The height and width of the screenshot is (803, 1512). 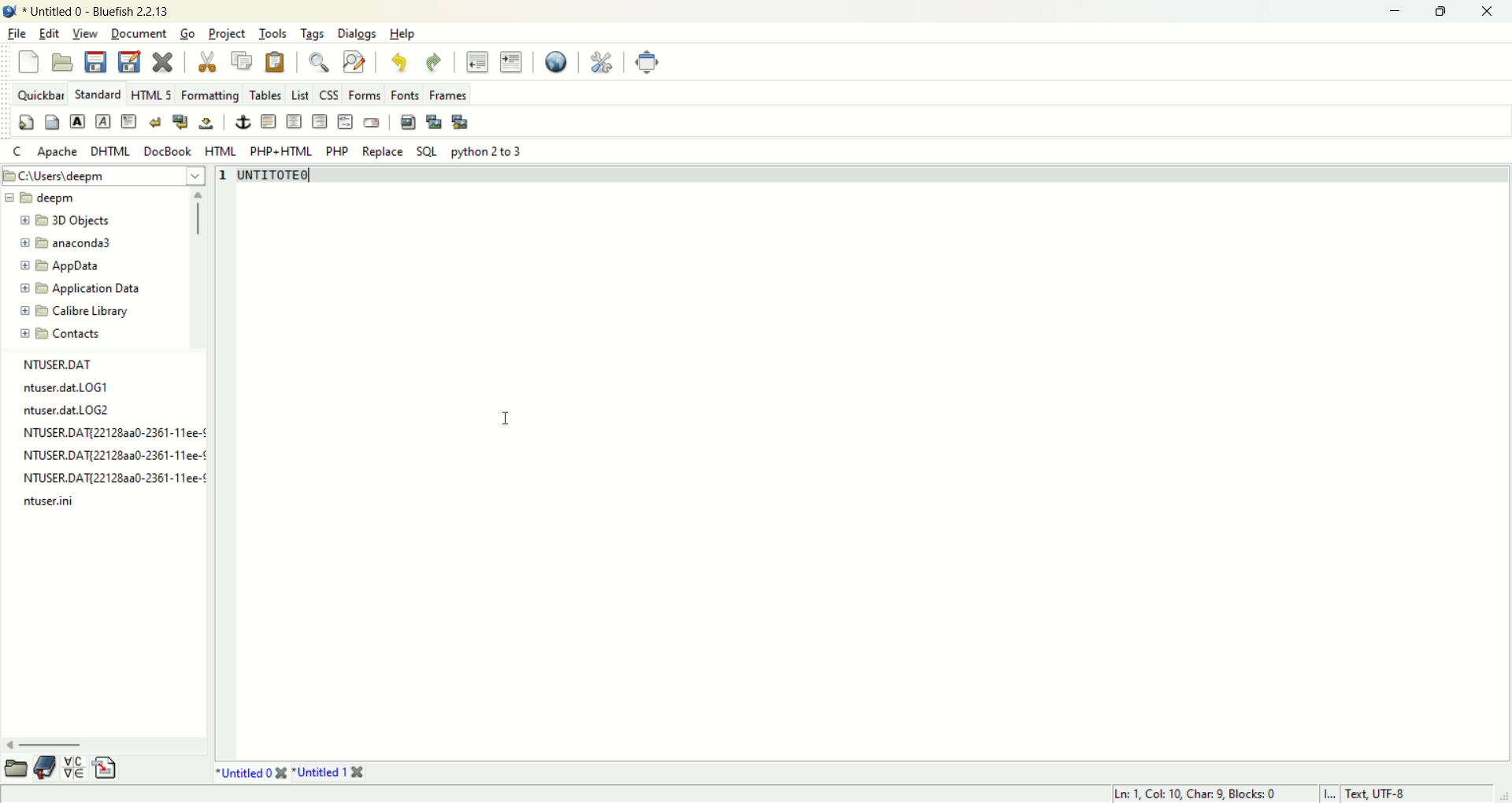 I want to click on CSS, so click(x=328, y=94).